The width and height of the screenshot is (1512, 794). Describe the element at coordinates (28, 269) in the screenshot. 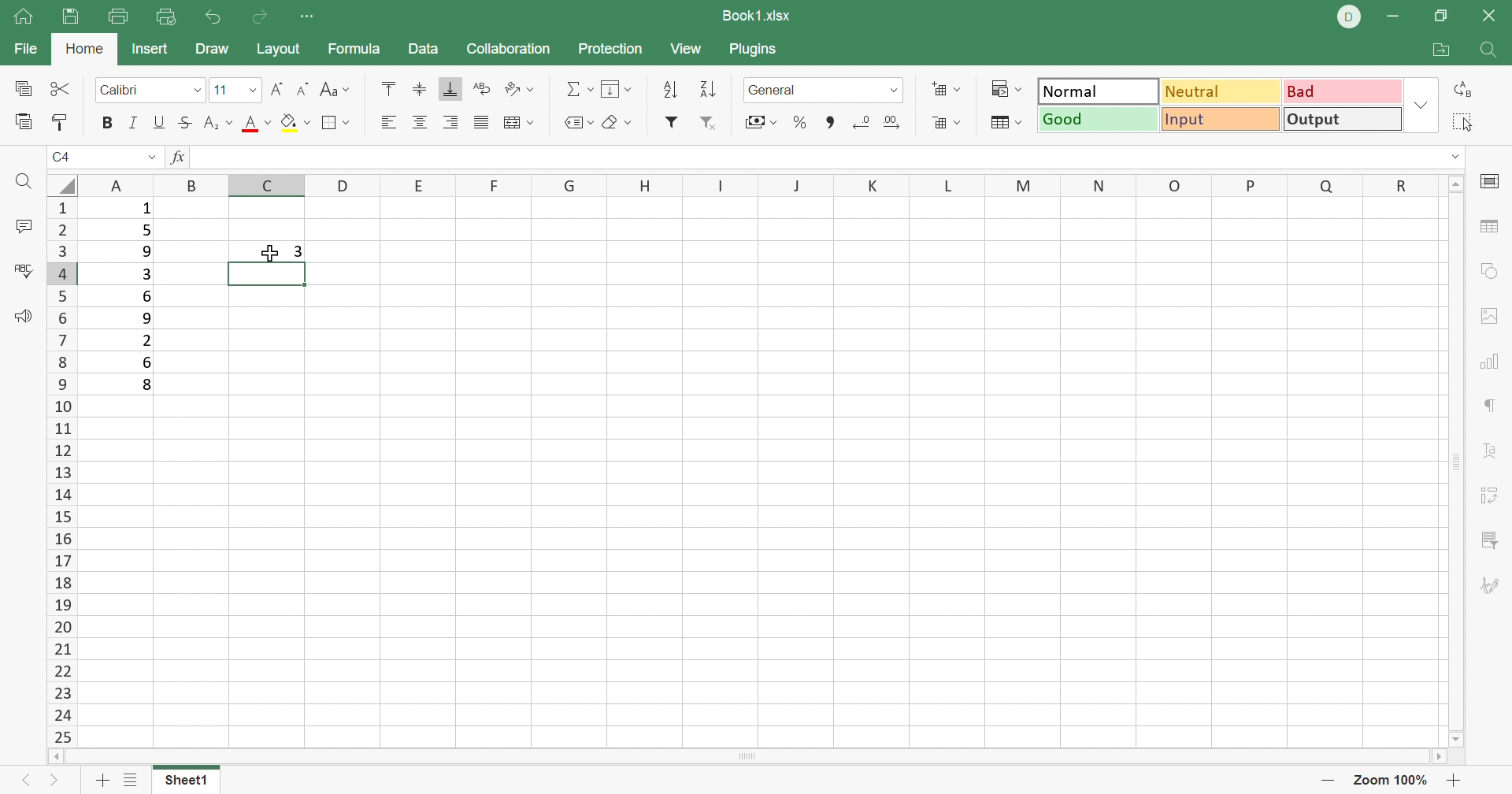

I see `Spell checking` at that location.